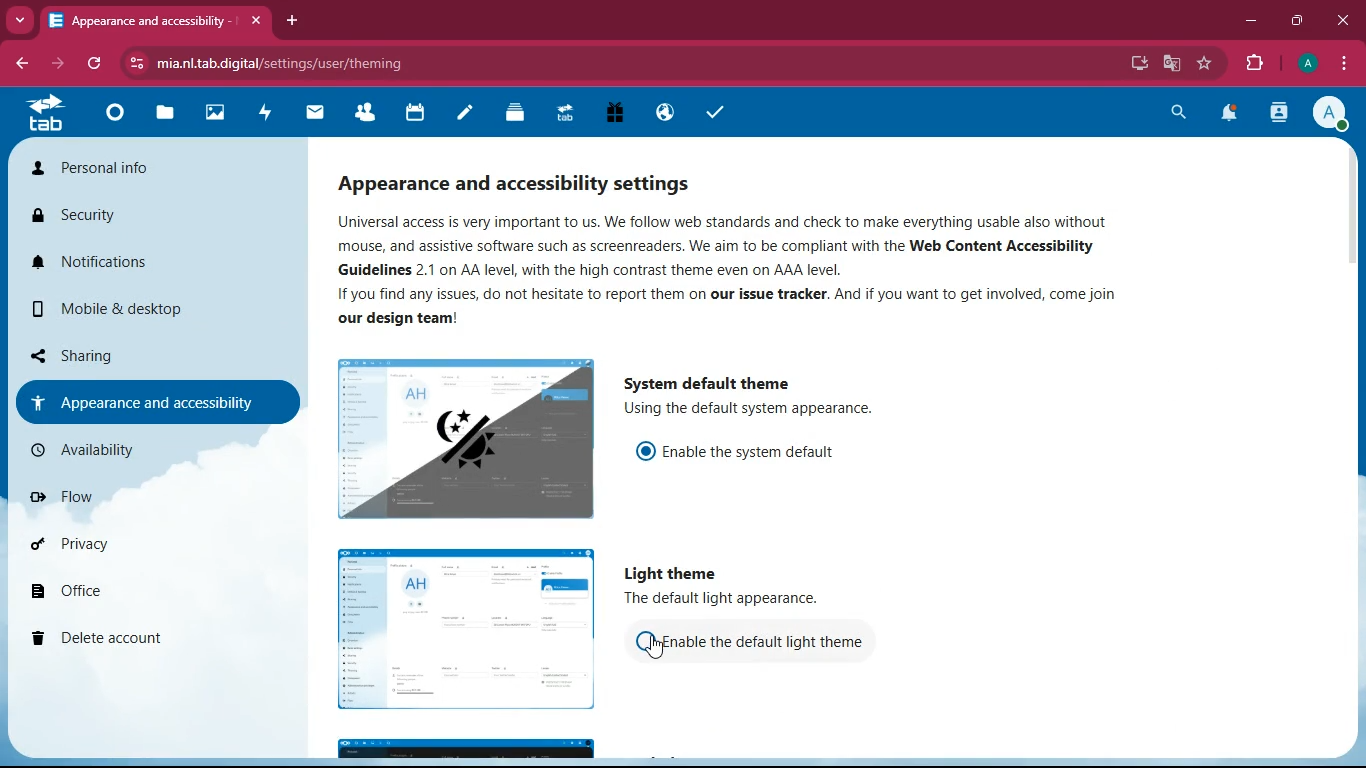 This screenshot has height=768, width=1366. Describe the element at coordinates (757, 410) in the screenshot. I see `description` at that location.